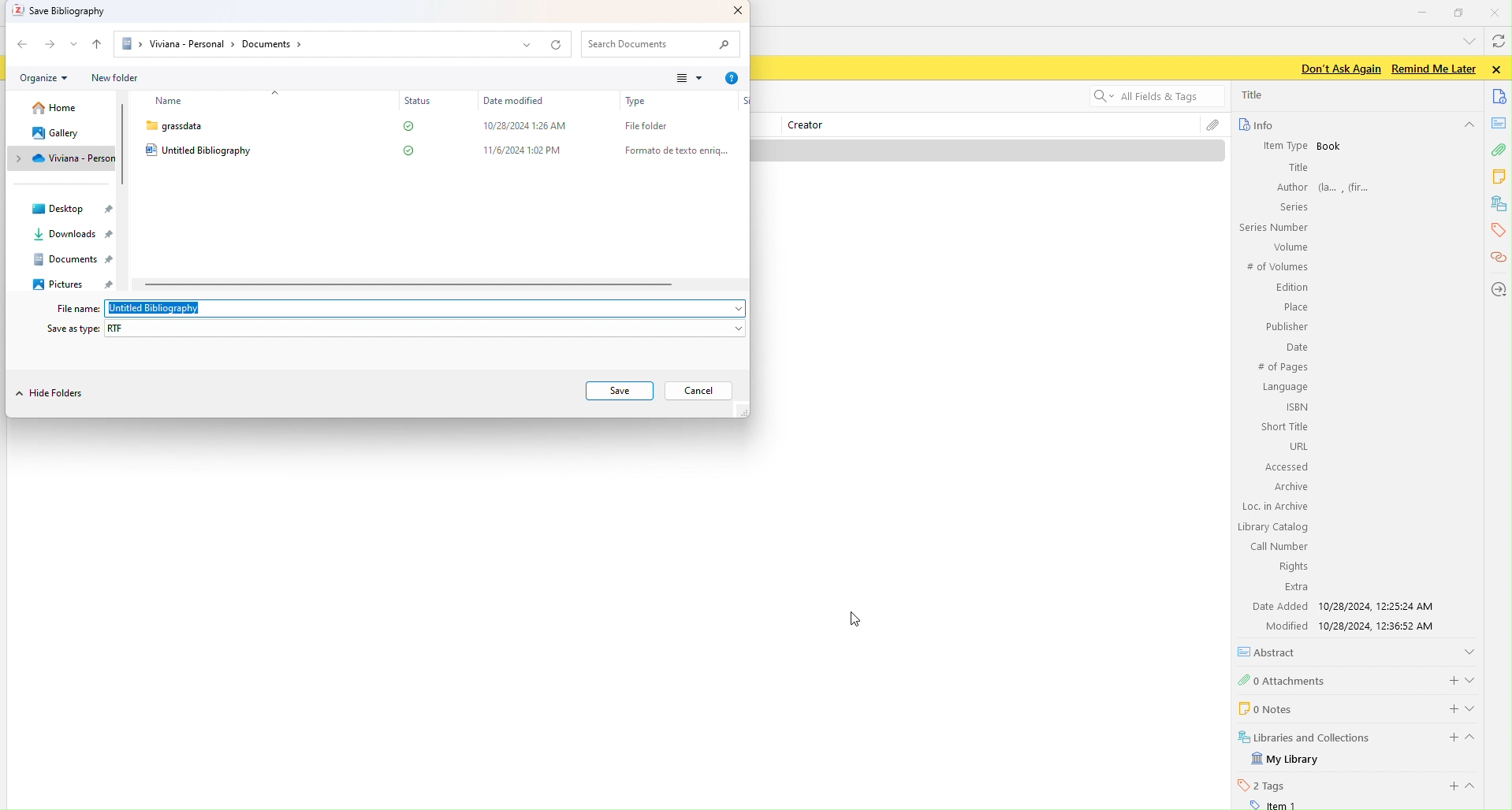 The height and width of the screenshot is (810, 1512). What do you see at coordinates (1497, 12) in the screenshot?
I see `Close` at bounding box center [1497, 12].